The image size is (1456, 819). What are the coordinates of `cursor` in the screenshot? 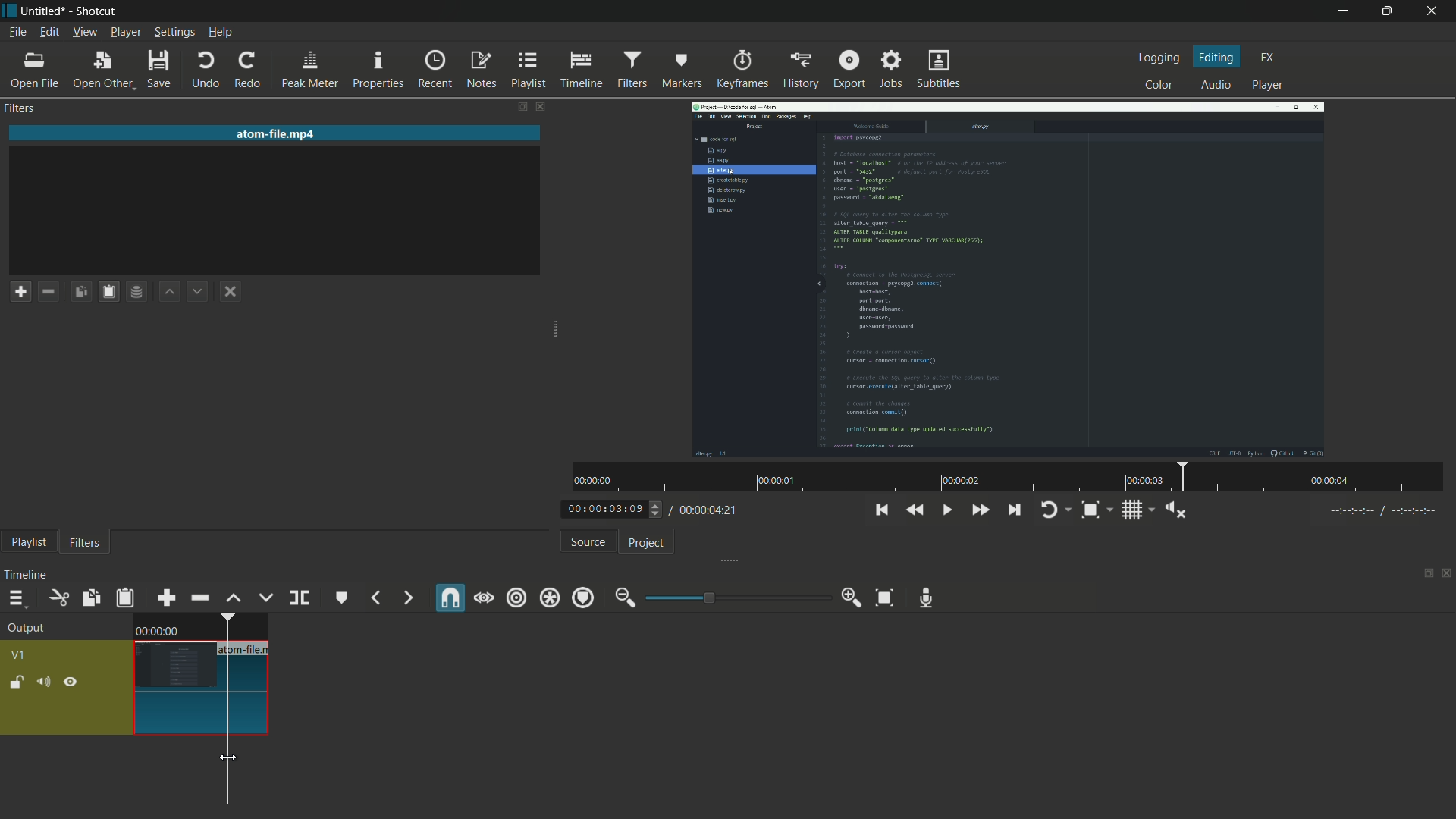 It's located at (228, 758).